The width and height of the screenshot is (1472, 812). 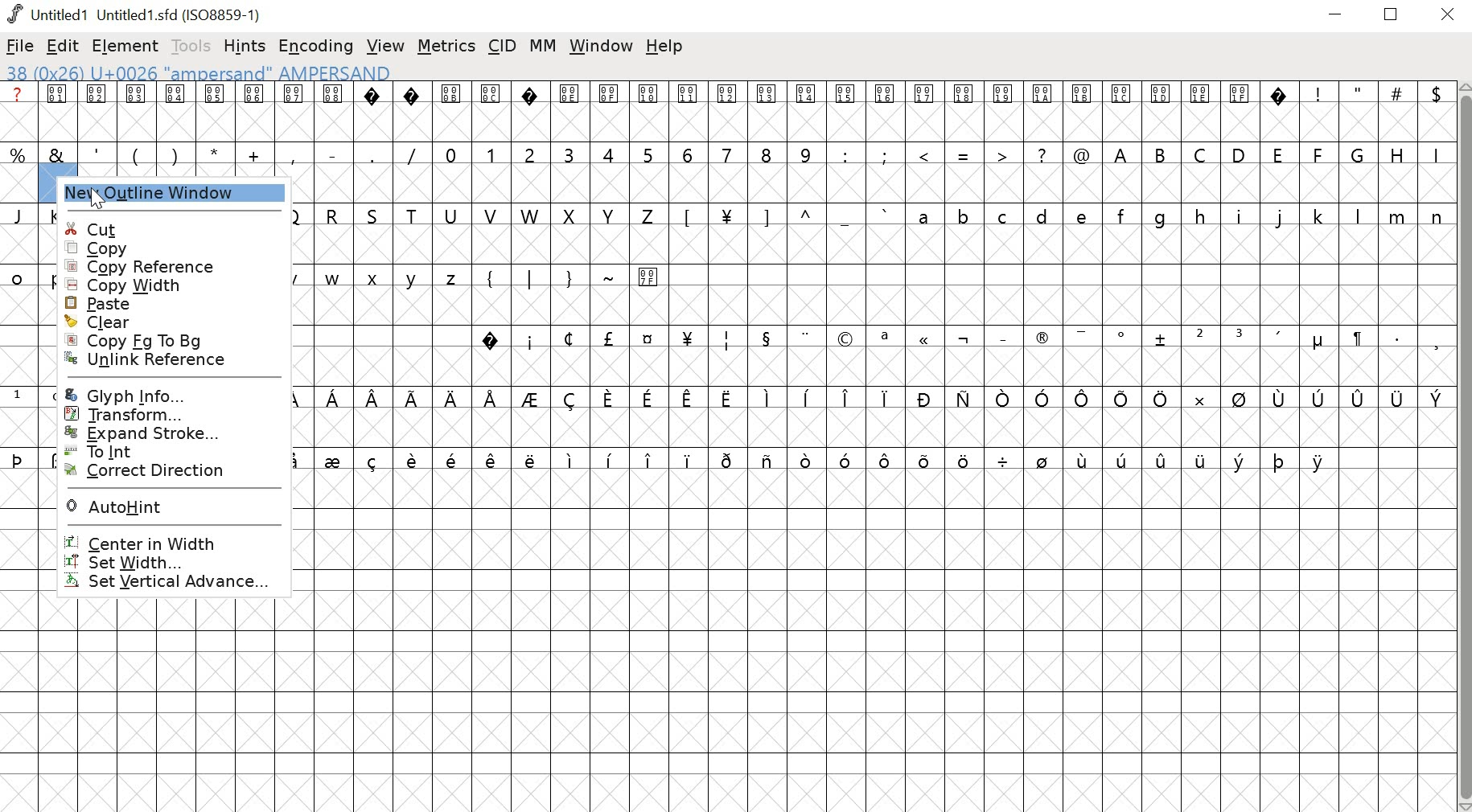 I want to click on expand, so click(x=168, y=434).